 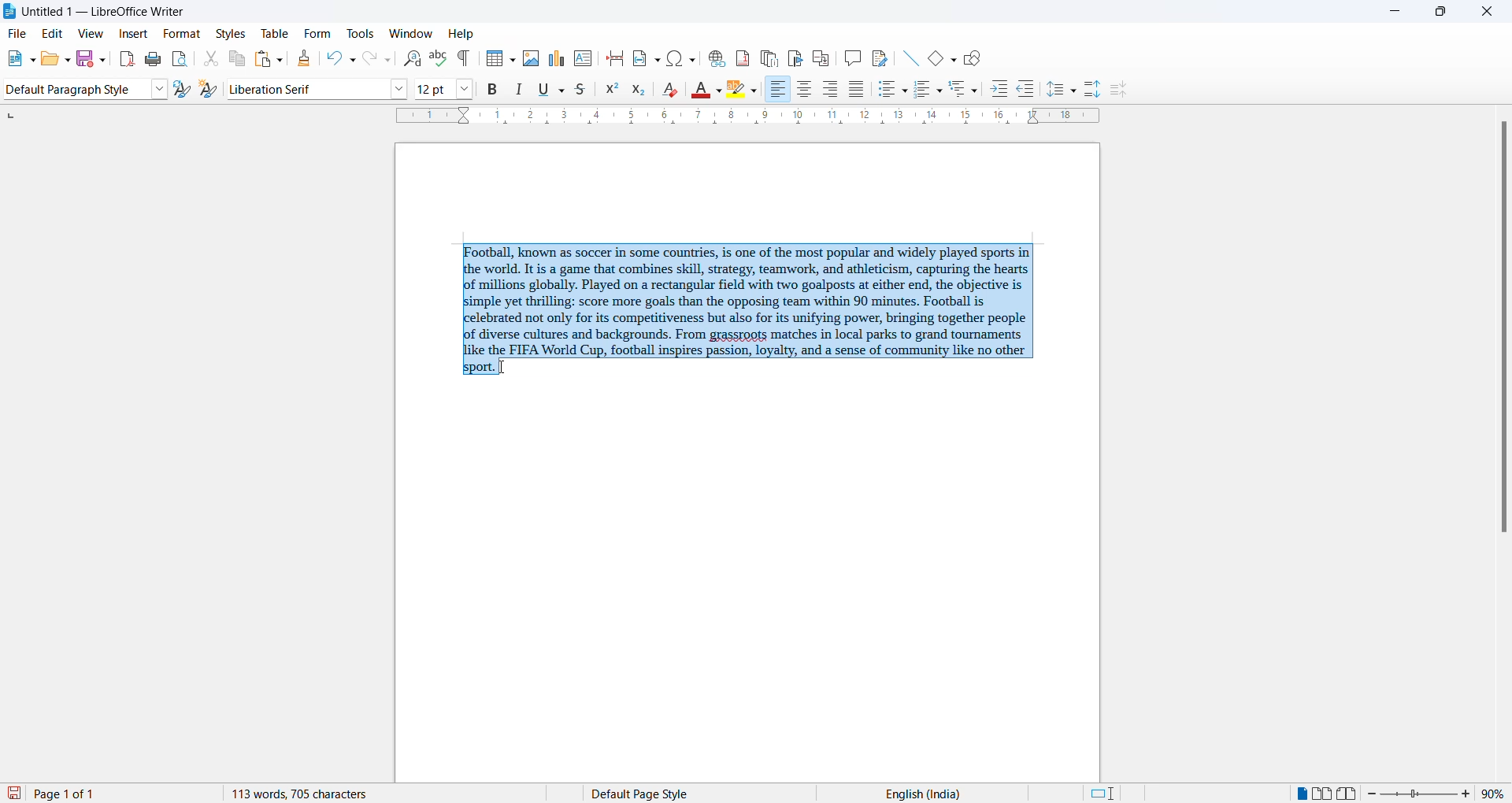 I want to click on clear direct formatting, so click(x=669, y=88).